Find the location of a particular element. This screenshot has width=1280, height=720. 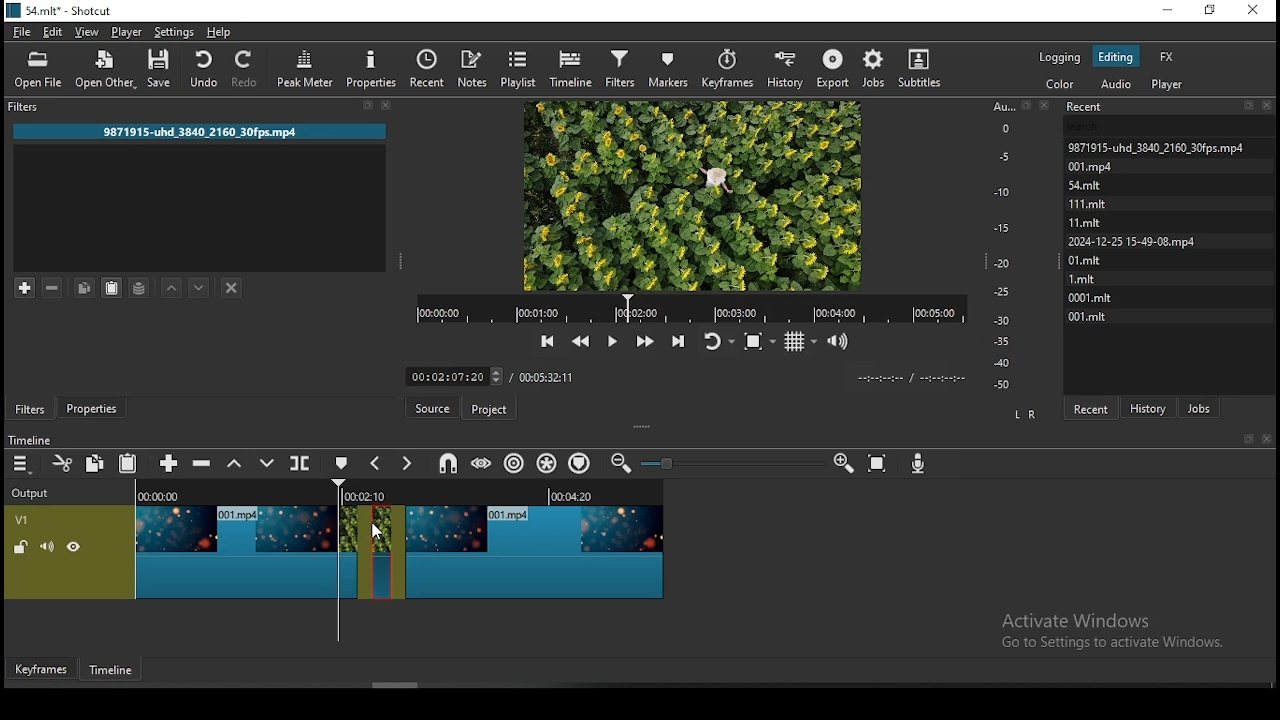

next marker is located at coordinates (404, 465).